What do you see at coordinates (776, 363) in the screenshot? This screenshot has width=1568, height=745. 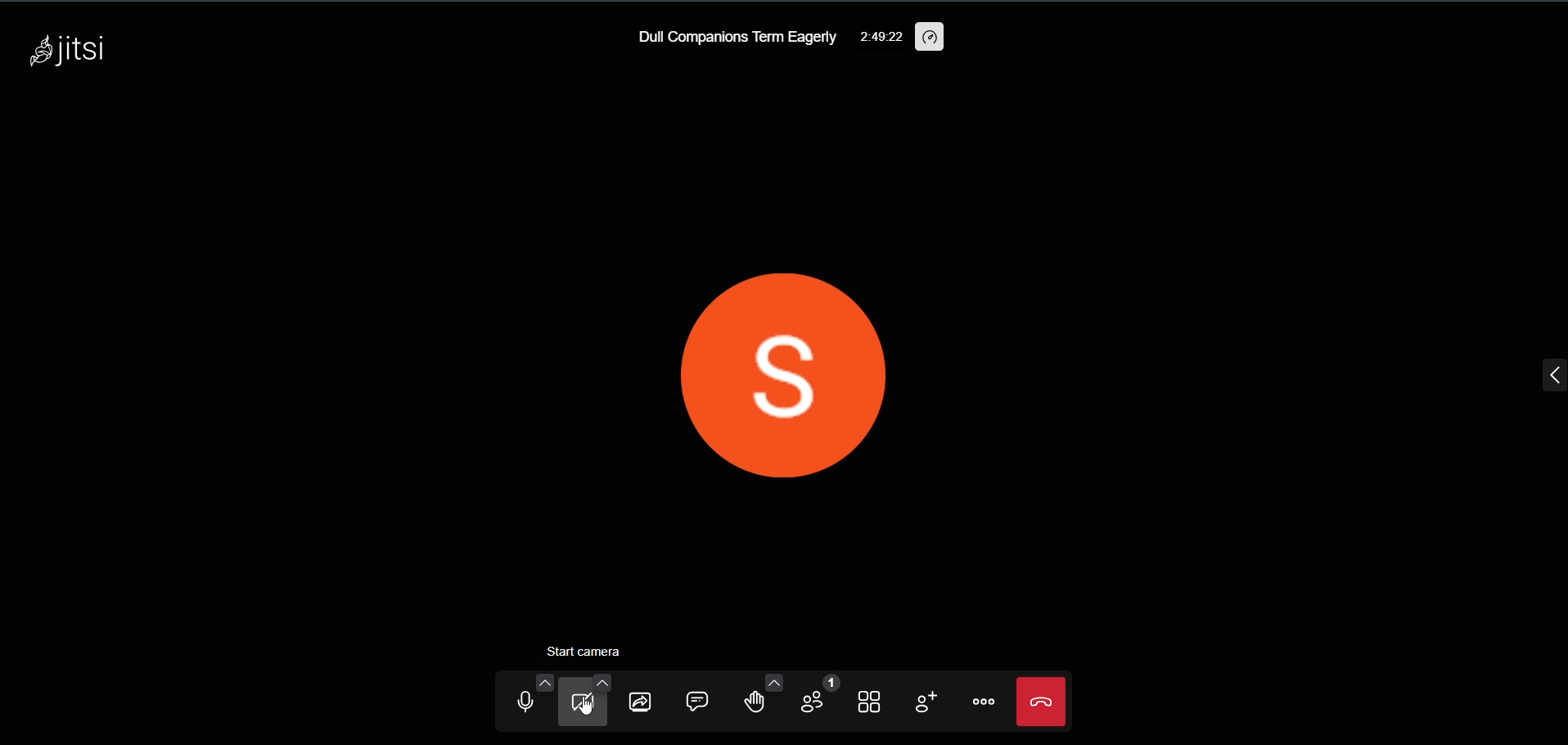 I see `display picture` at bounding box center [776, 363].